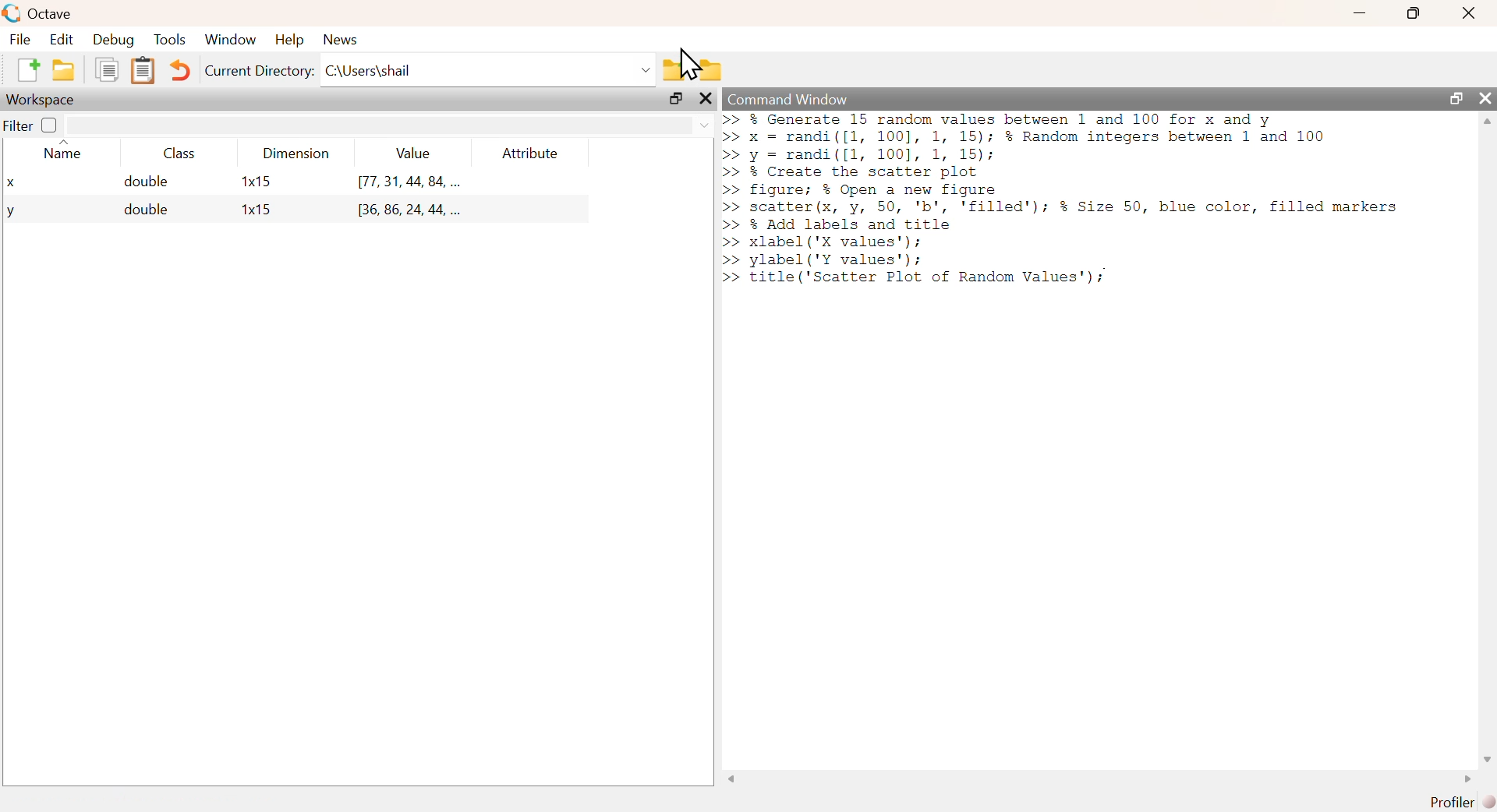 This screenshot has height=812, width=1497. Describe the element at coordinates (182, 155) in the screenshot. I see `Class` at that location.